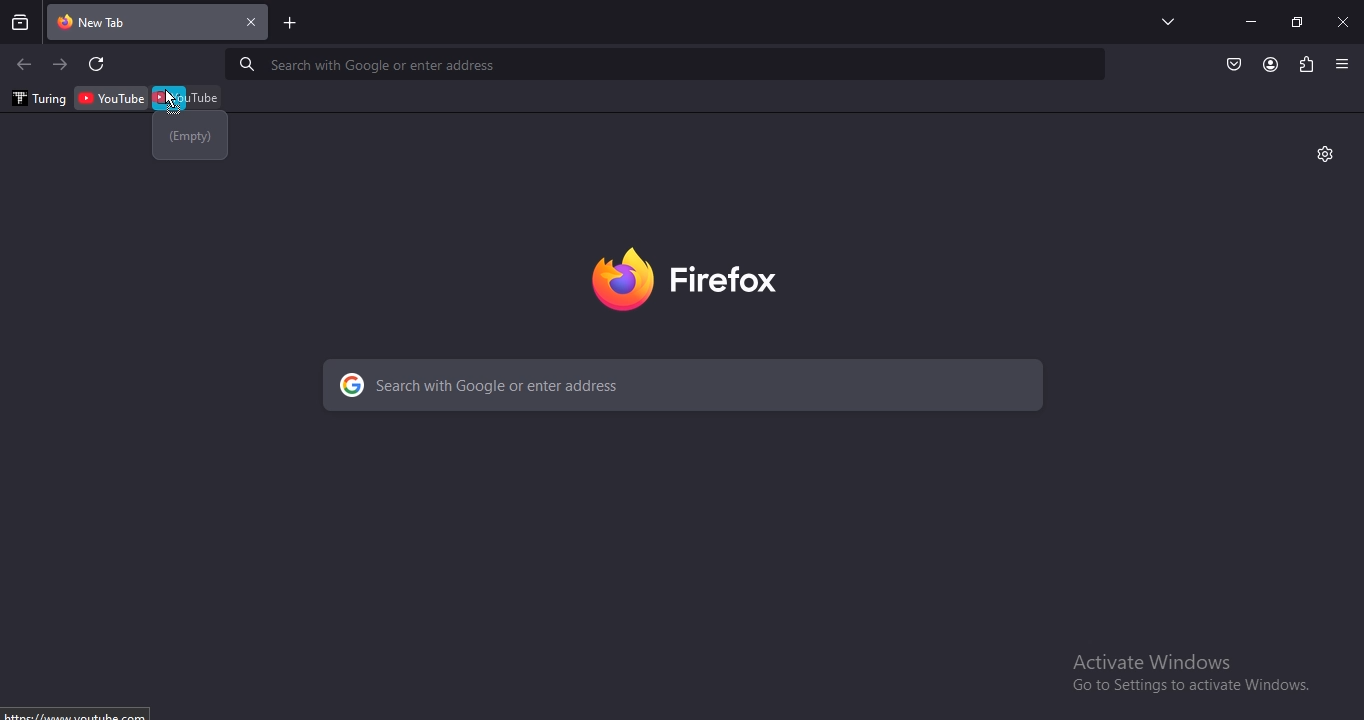 Image resolution: width=1364 pixels, height=720 pixels. I want to click on search all recent and current tabs, so click(22, 24).